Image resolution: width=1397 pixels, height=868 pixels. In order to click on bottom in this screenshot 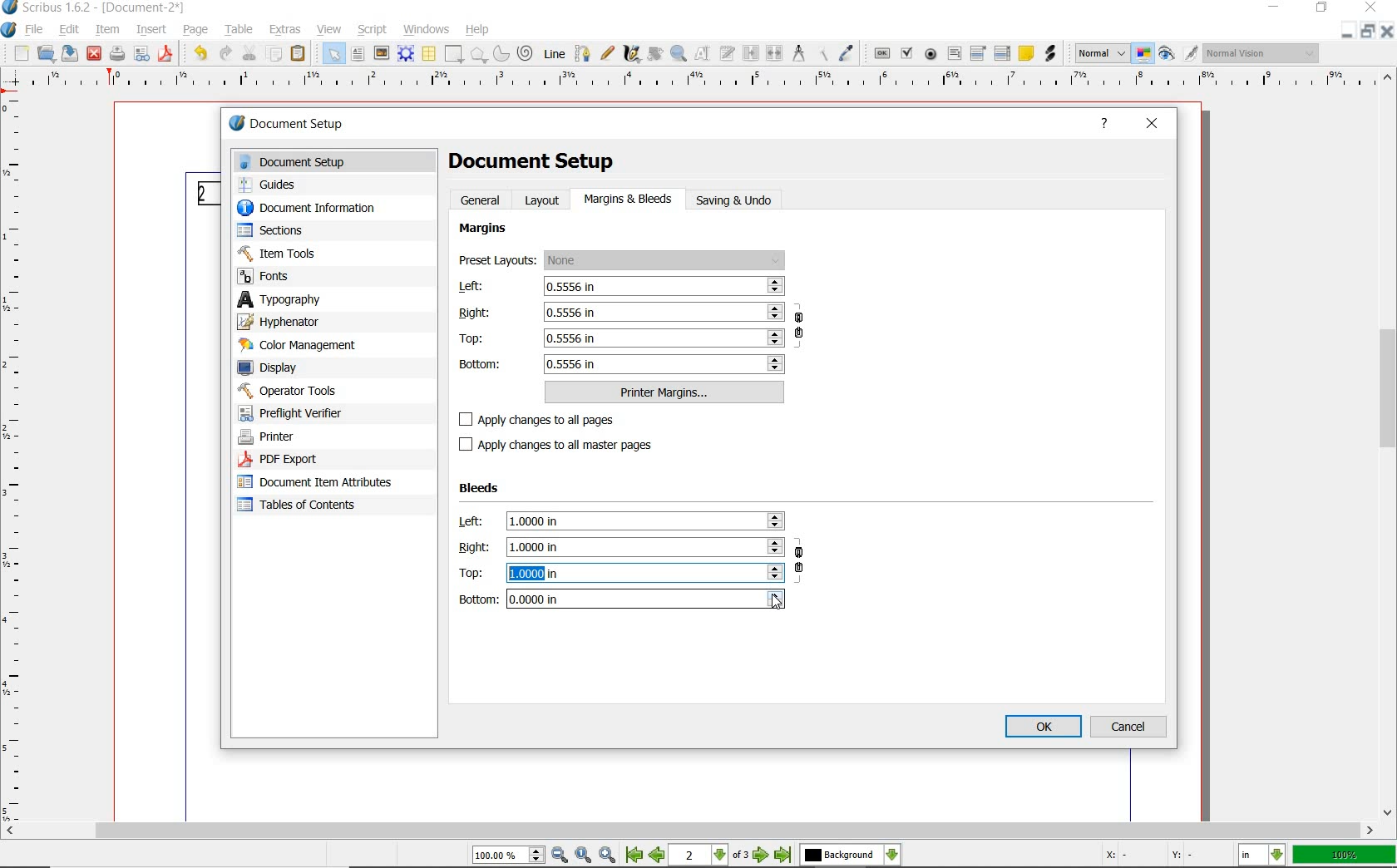, I will do `click(623, 364)`.